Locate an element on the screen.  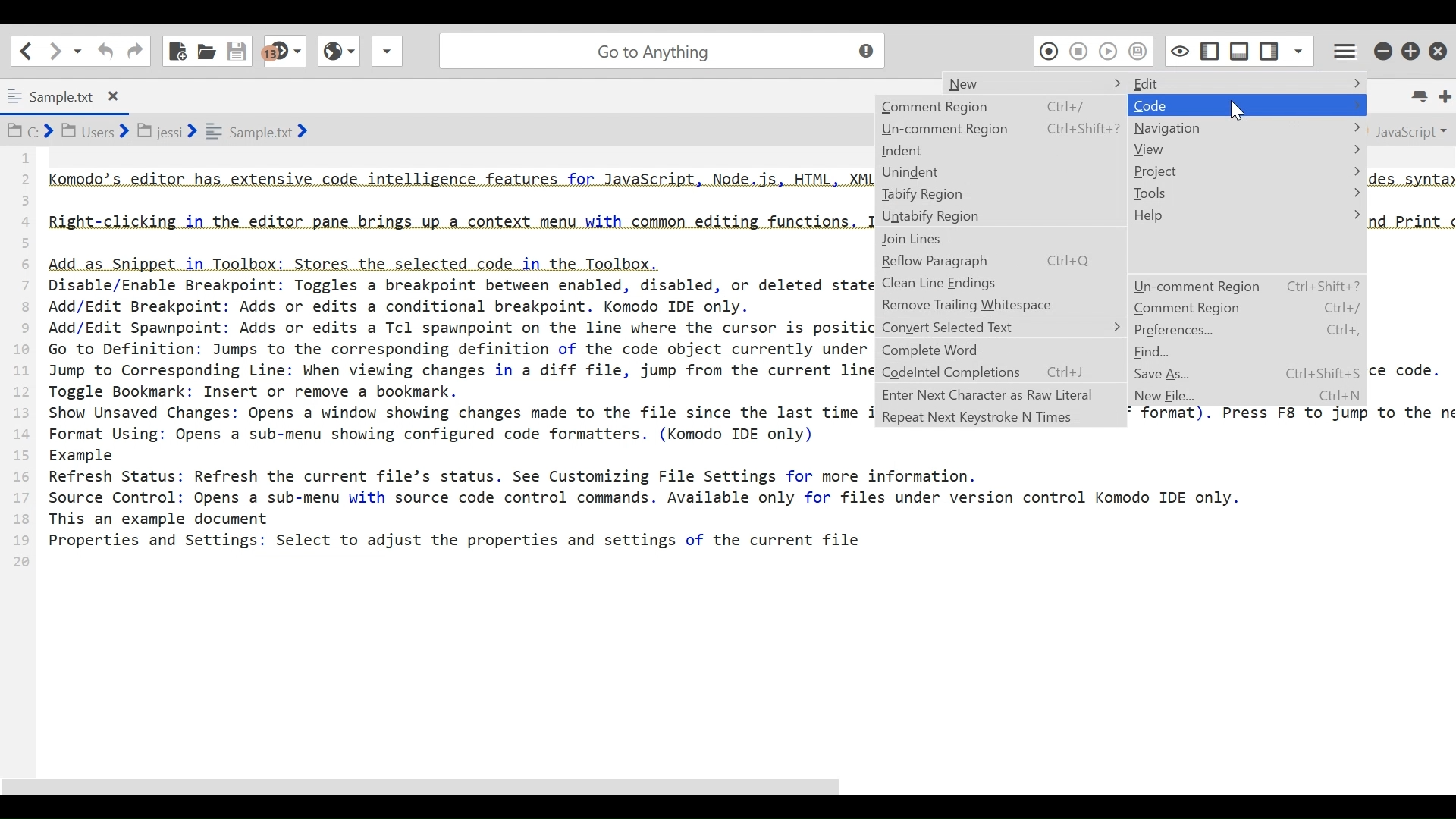
dropdown is located at coordinates (387, 55).